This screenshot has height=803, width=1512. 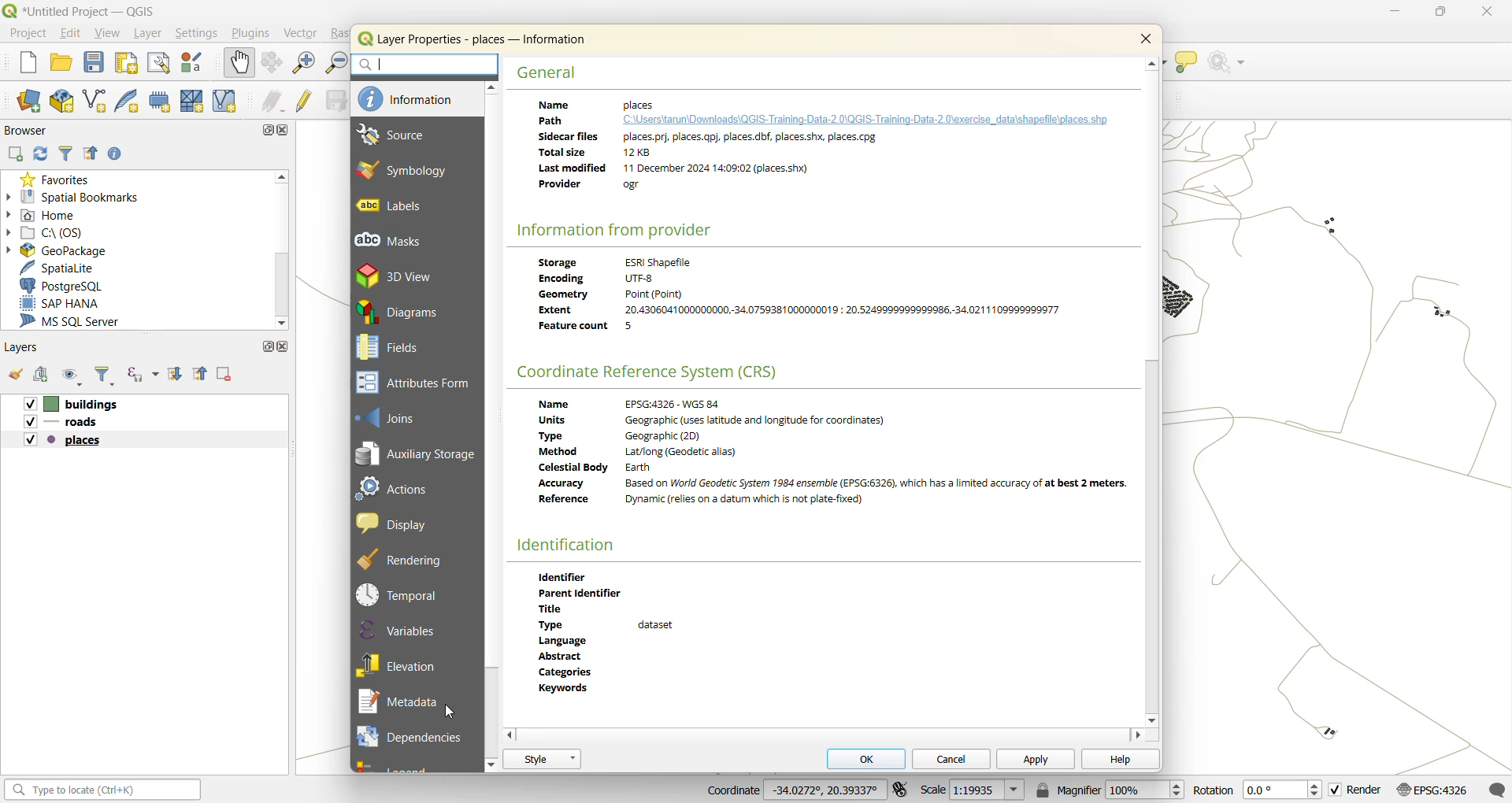 What do you see at coordinates (453, 711) in the screenshot?
I see `cursor` at bounding box center [453, 711].